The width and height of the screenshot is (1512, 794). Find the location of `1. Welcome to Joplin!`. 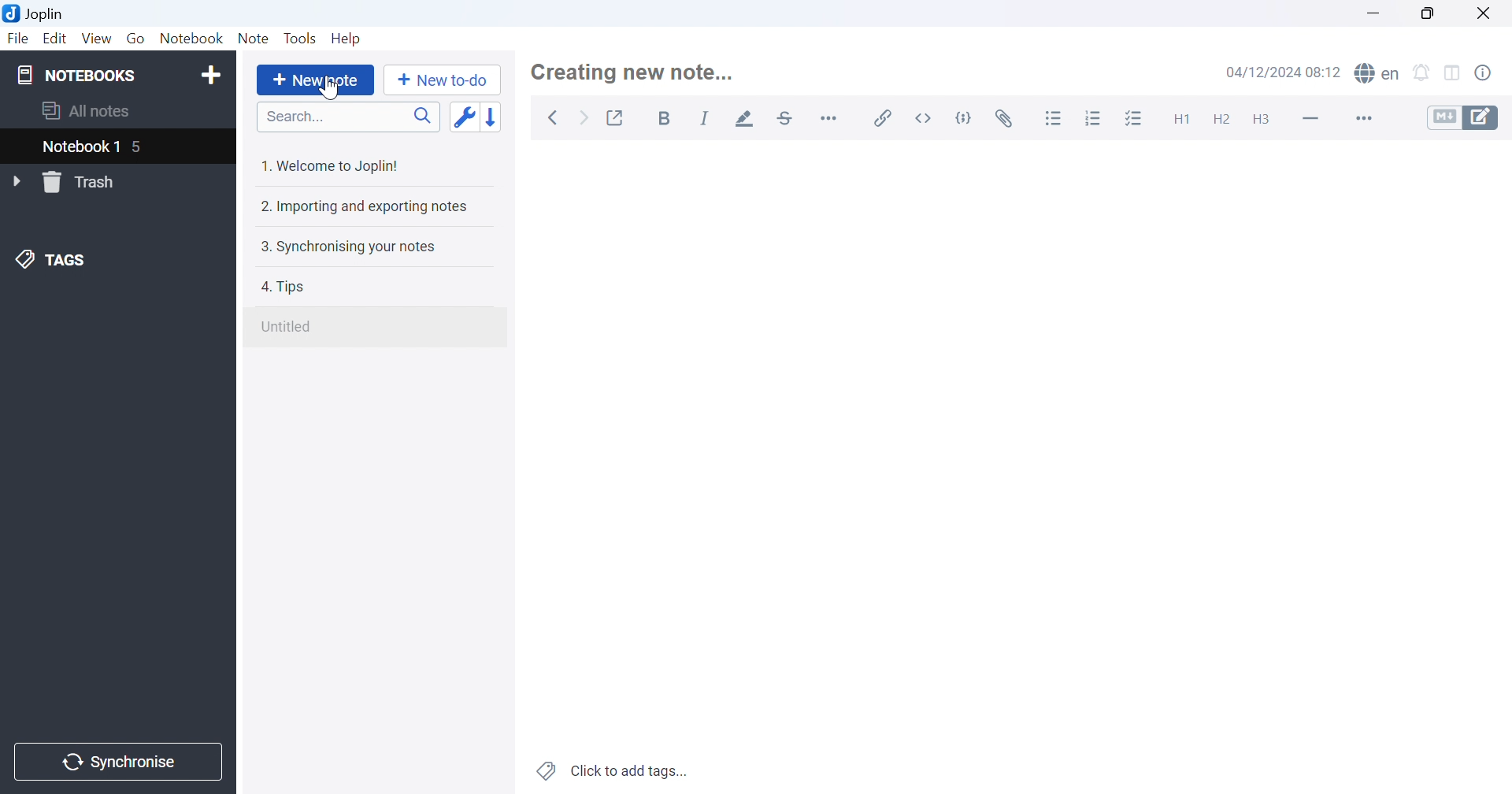

1. Welcome to Joplin! is located at coordinates (333, 163).